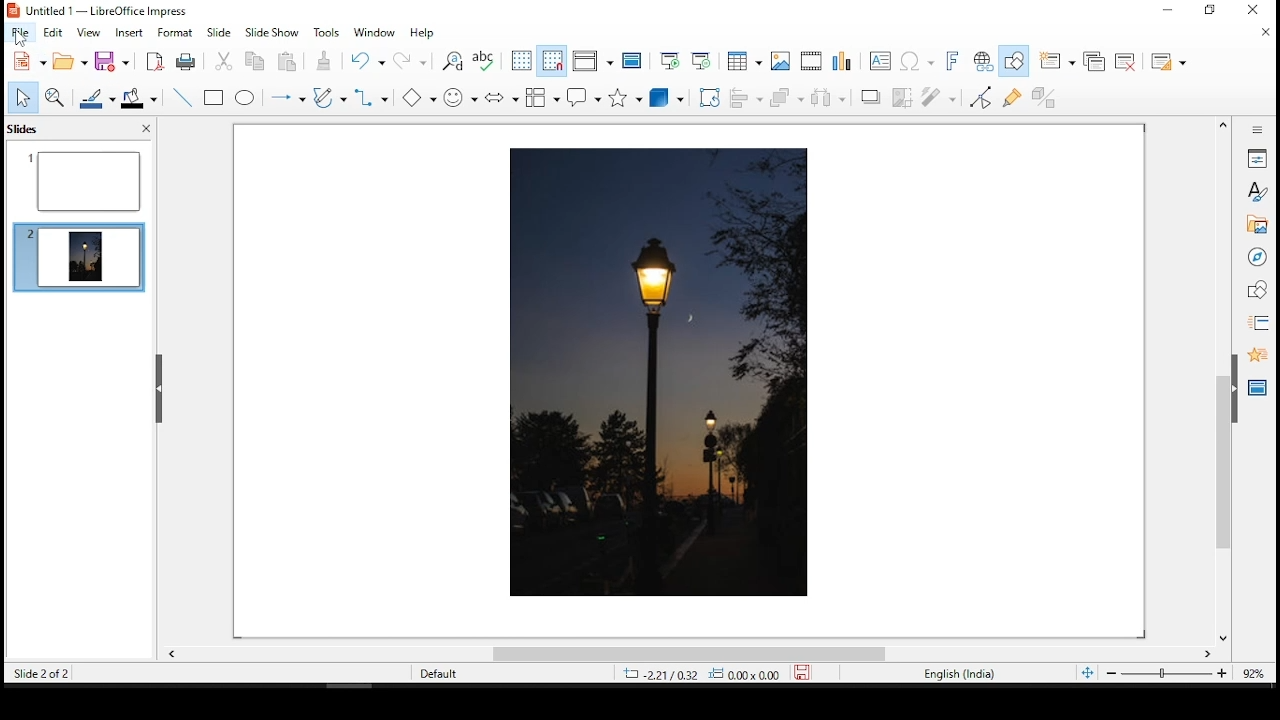 The image size is (1280, 720). I want to click on lines and arrows, so click(287, 98).